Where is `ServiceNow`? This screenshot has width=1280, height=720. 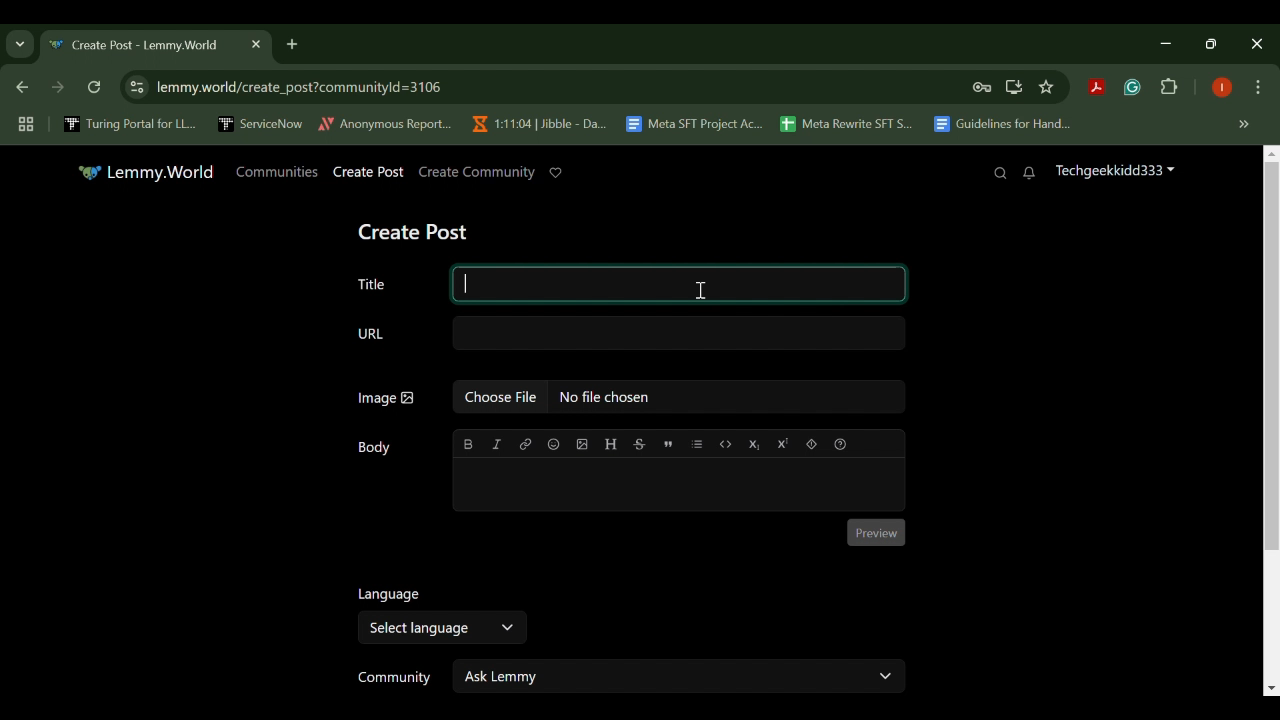
ServiceNow is located at coordinates (261, 123).